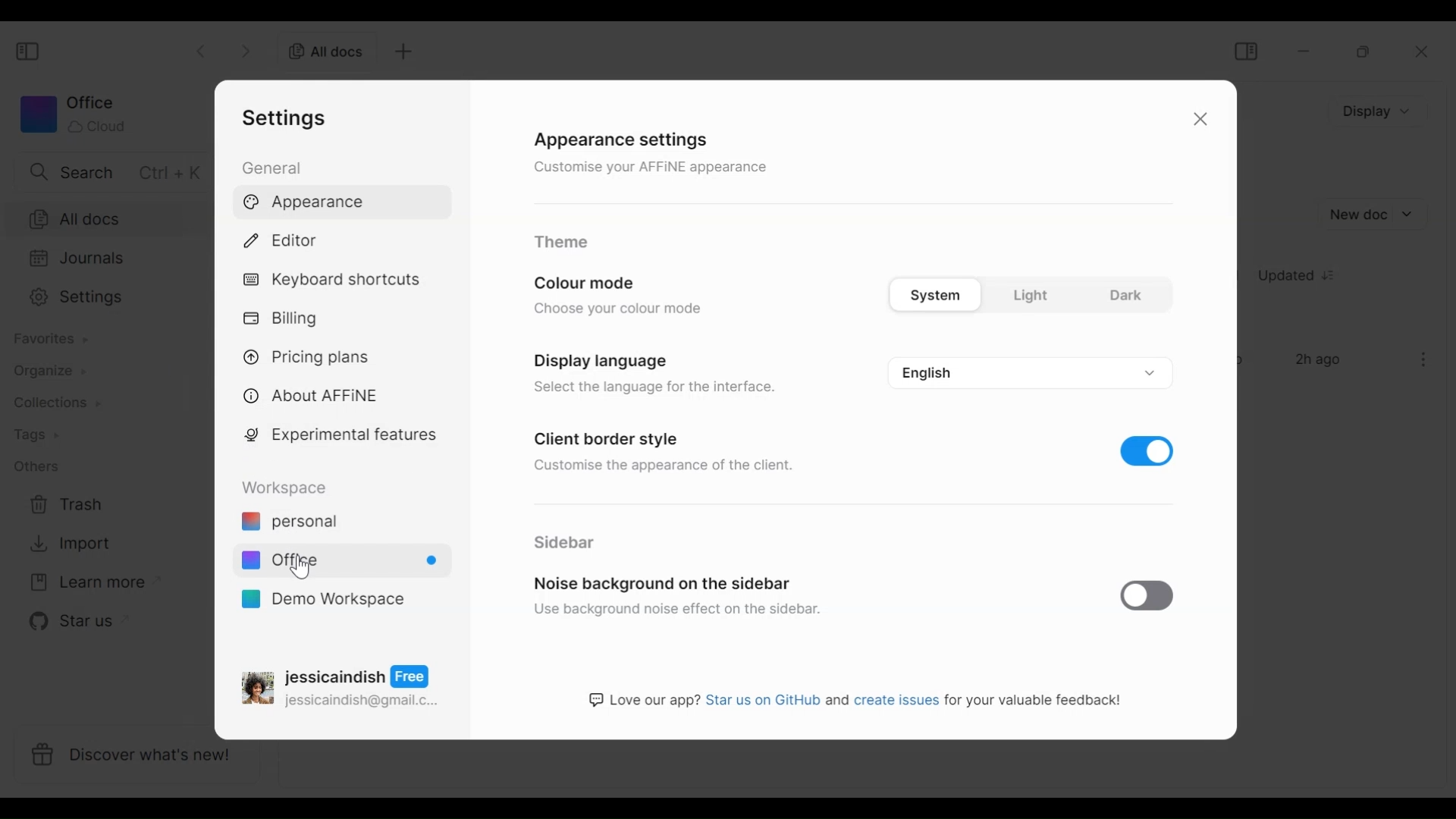  What do you see at coordinates (858, 703) in the screenshot?
I see ` Love our app? Star us on GitHub and create issues for your valuable feedback!` at bounding box center [858, 703].